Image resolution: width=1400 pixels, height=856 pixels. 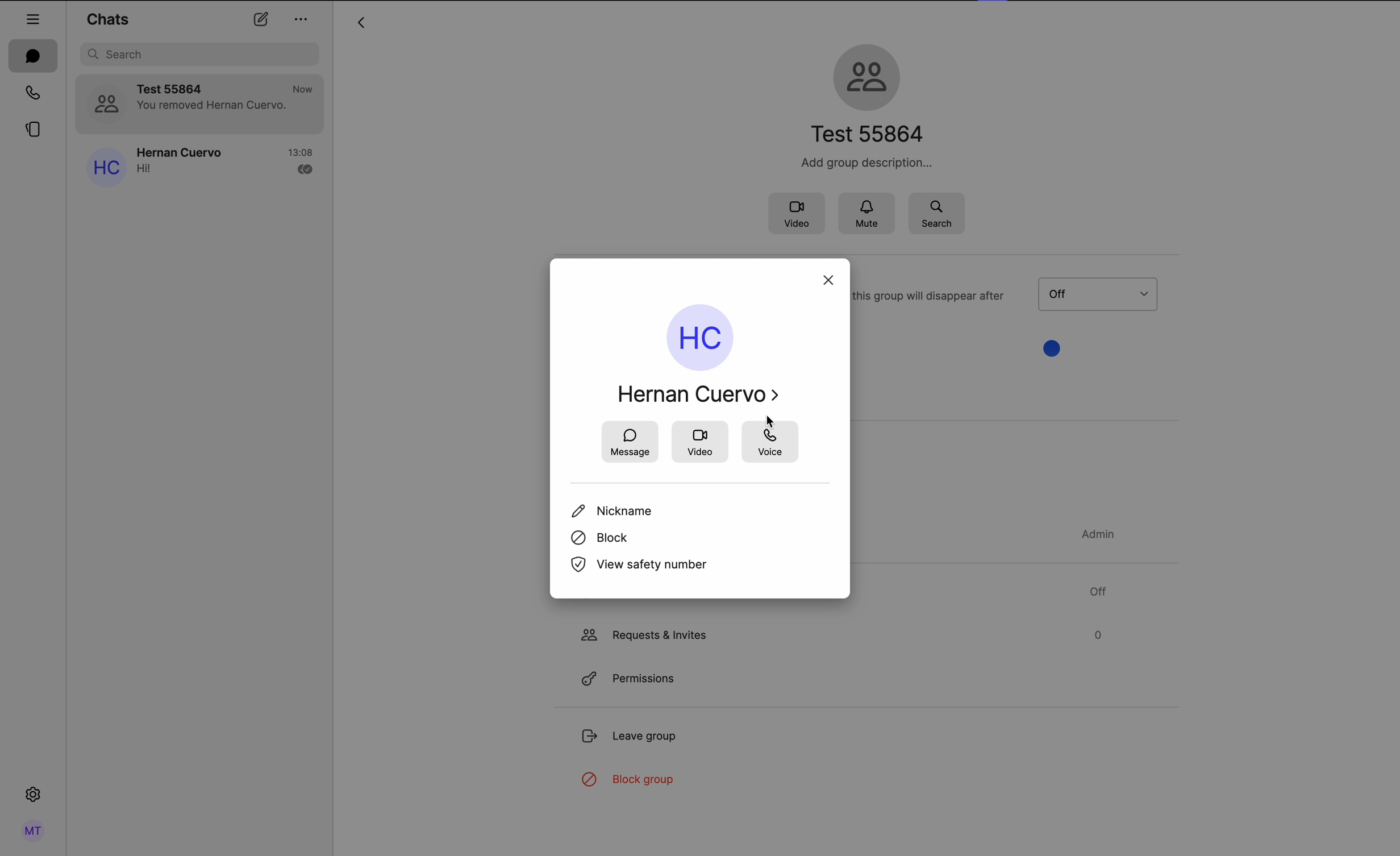 I want to click on request & invites, so click(x=845, y=633).